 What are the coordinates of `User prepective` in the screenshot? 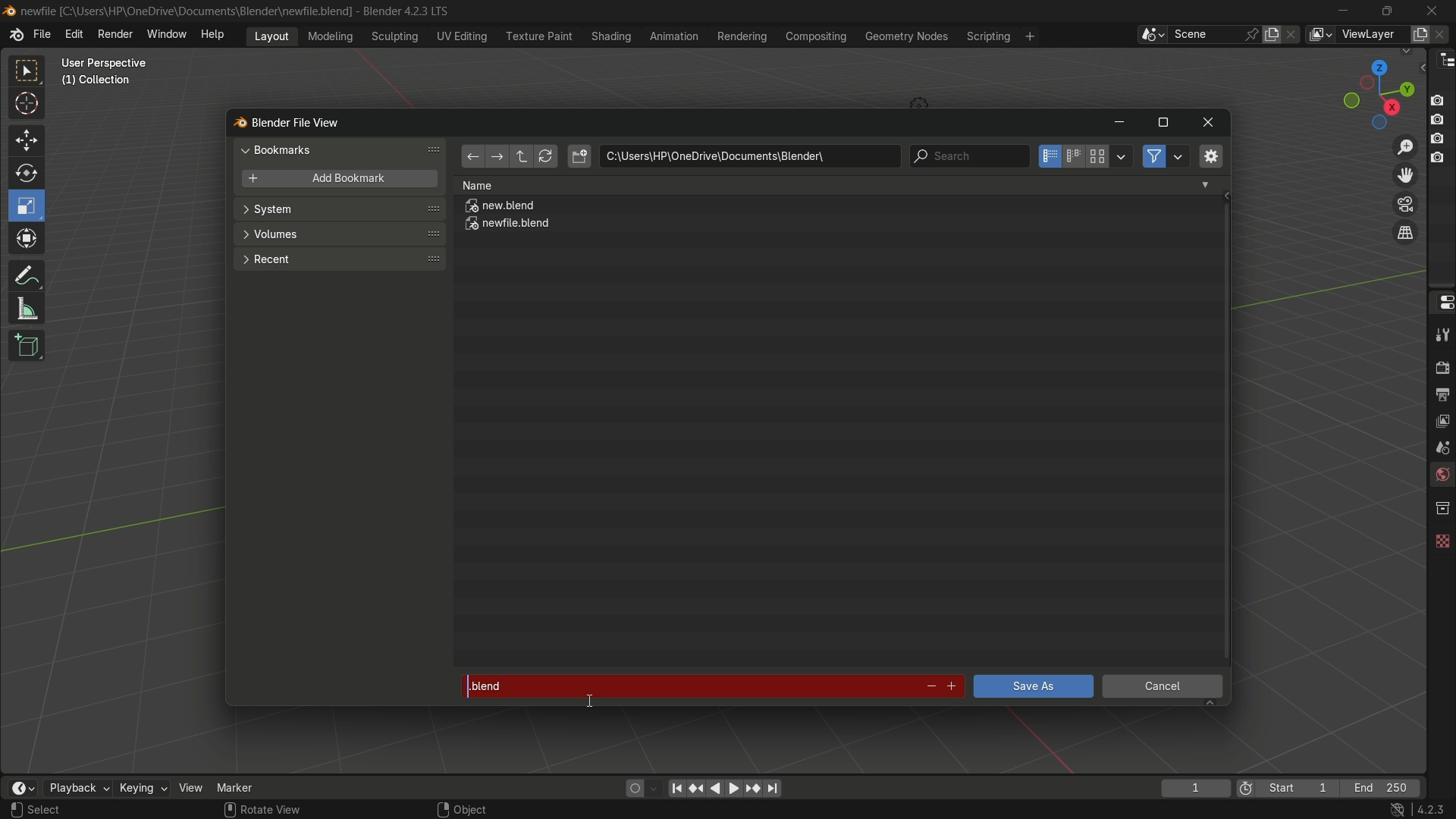 It's located at (111, 63).